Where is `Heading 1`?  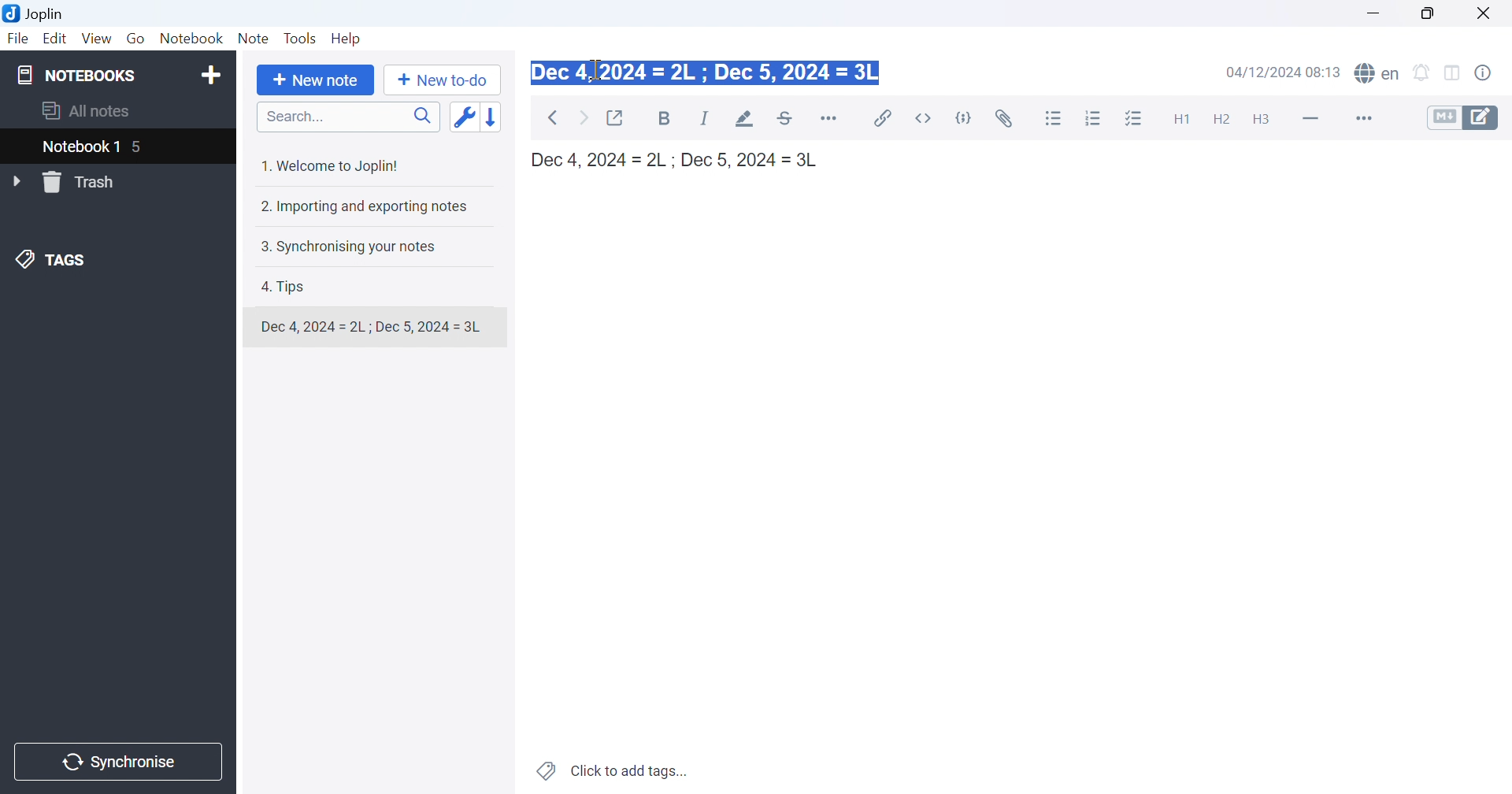
Heading 1 is located at coordinates (1180, 118).